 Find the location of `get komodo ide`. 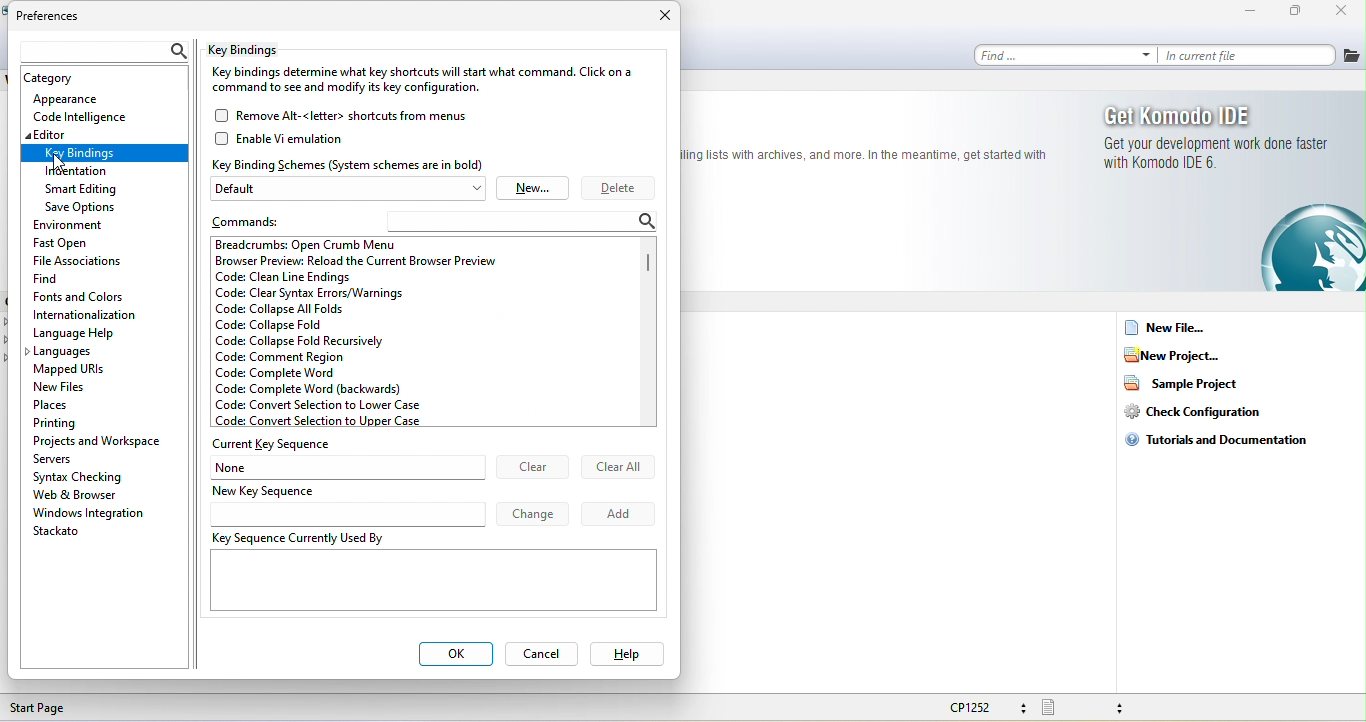

get komodo ide is located at coordinates (1214, 138).